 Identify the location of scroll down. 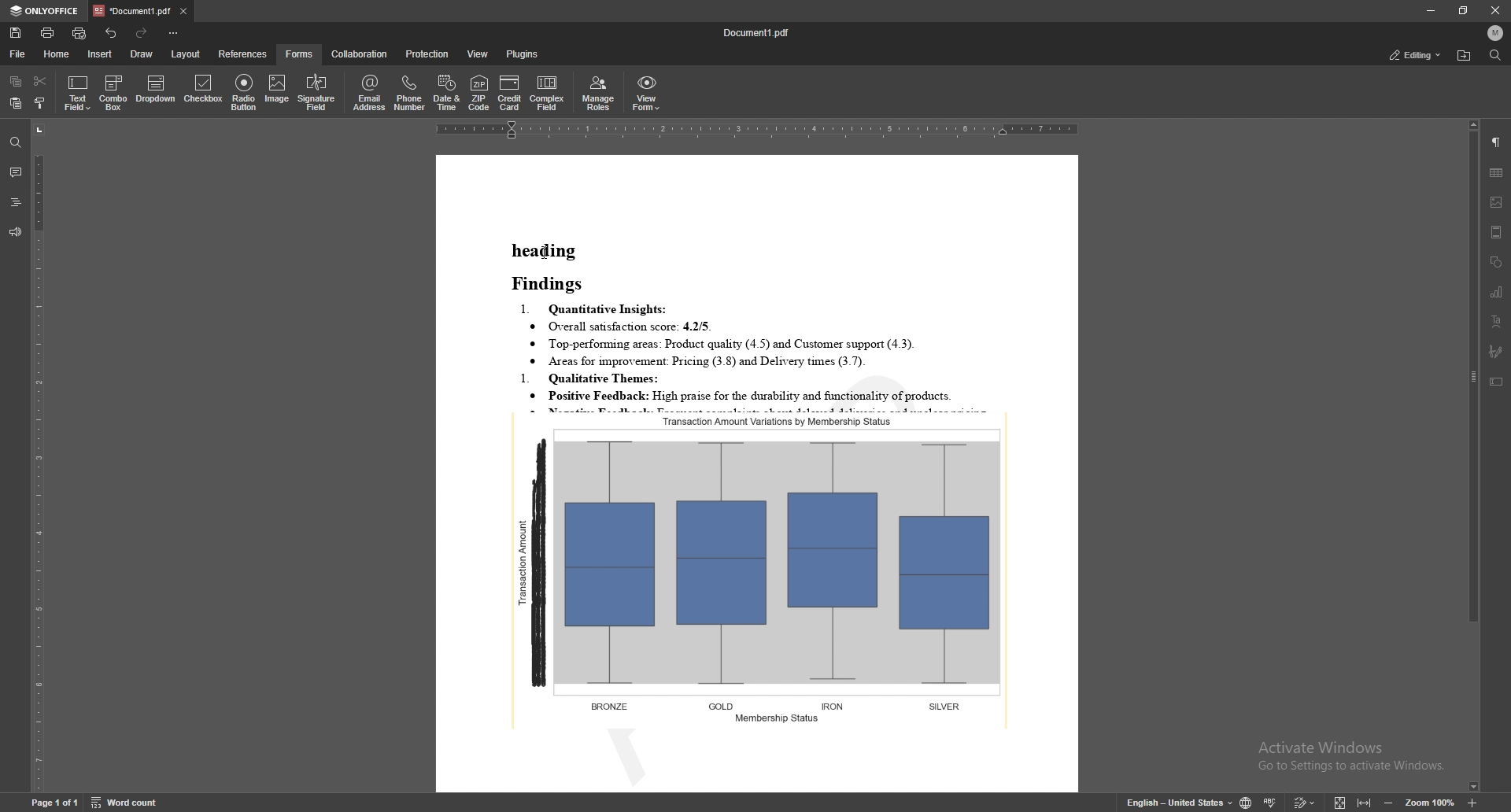
(1472, 788).